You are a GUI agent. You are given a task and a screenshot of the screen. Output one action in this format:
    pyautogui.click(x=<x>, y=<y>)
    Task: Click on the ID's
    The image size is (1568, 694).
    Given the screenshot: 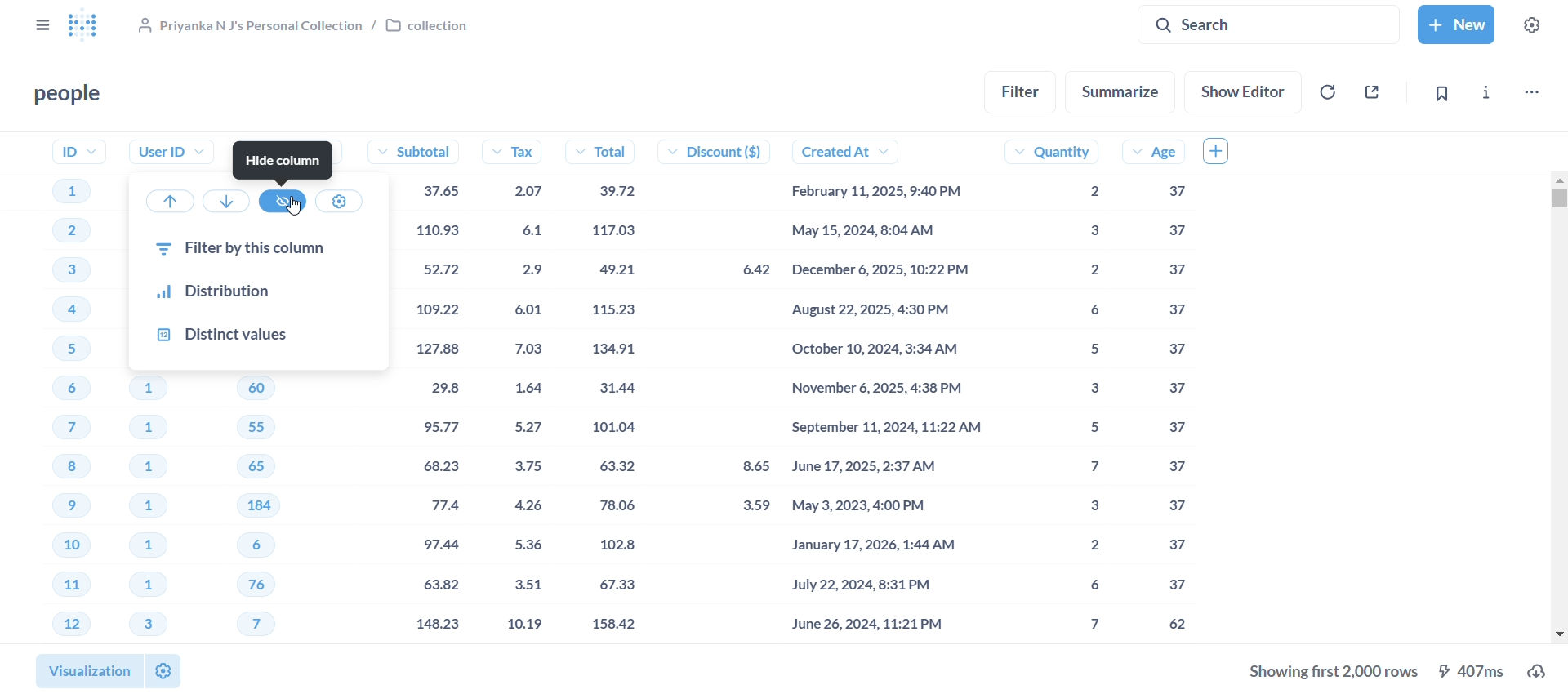 What is the action you would take?
    pyautogui.click(x=73, y=388)
    